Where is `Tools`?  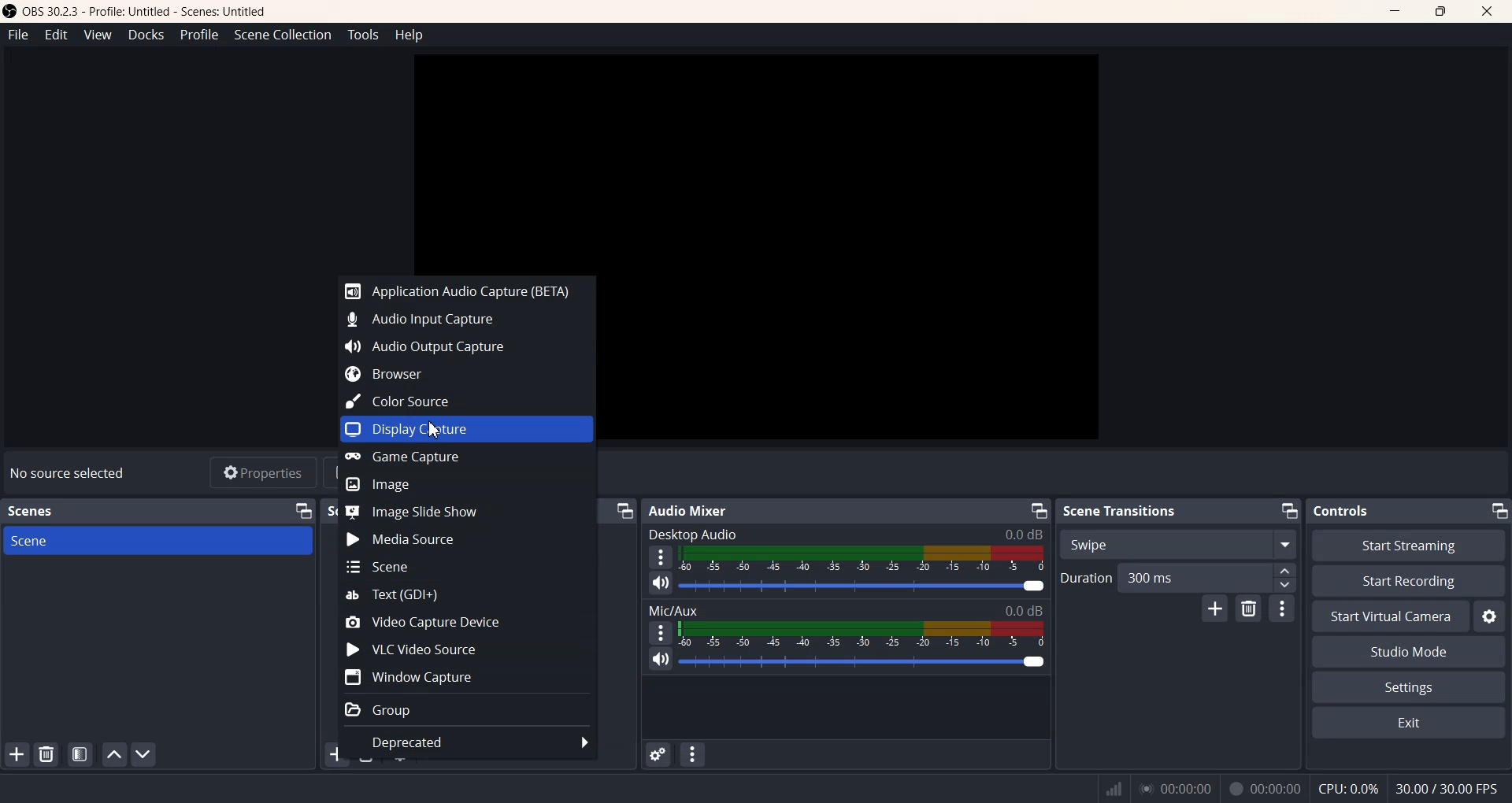 Tools is located at coordinates (362, 35).